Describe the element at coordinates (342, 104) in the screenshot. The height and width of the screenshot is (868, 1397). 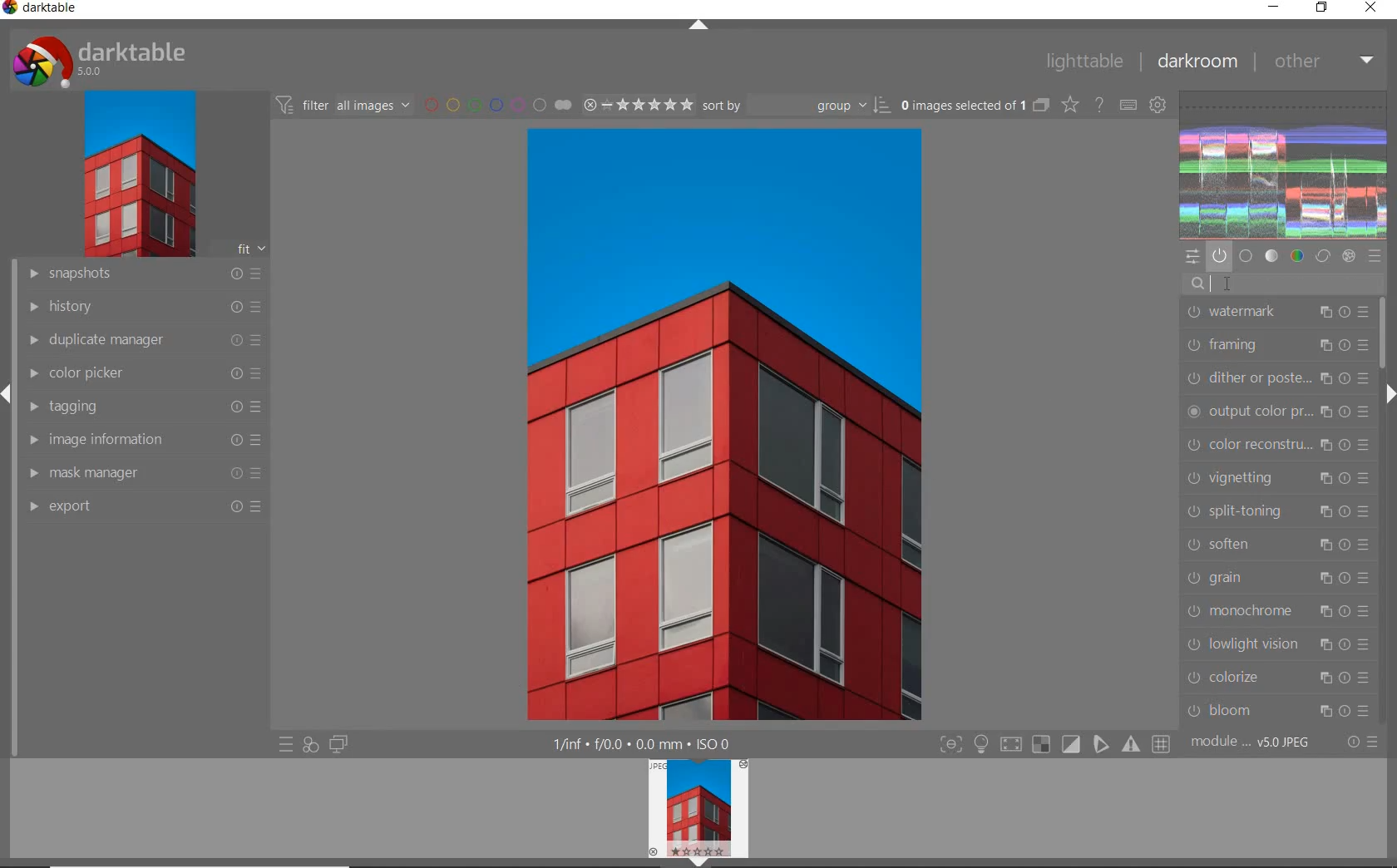
I see `filter images` at that location.